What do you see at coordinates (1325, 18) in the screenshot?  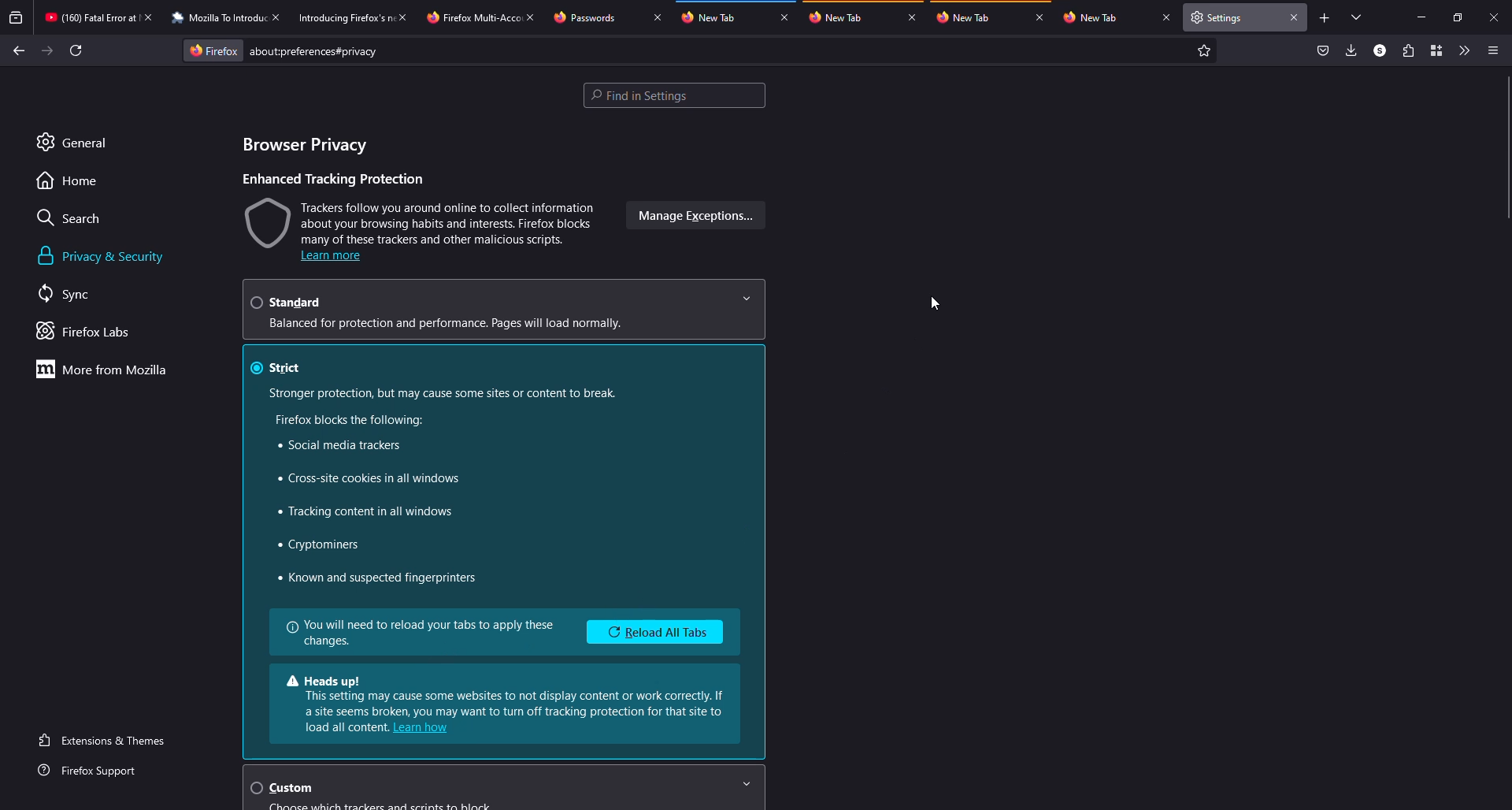 I see `add tab` at bounding box center [1325, 18].